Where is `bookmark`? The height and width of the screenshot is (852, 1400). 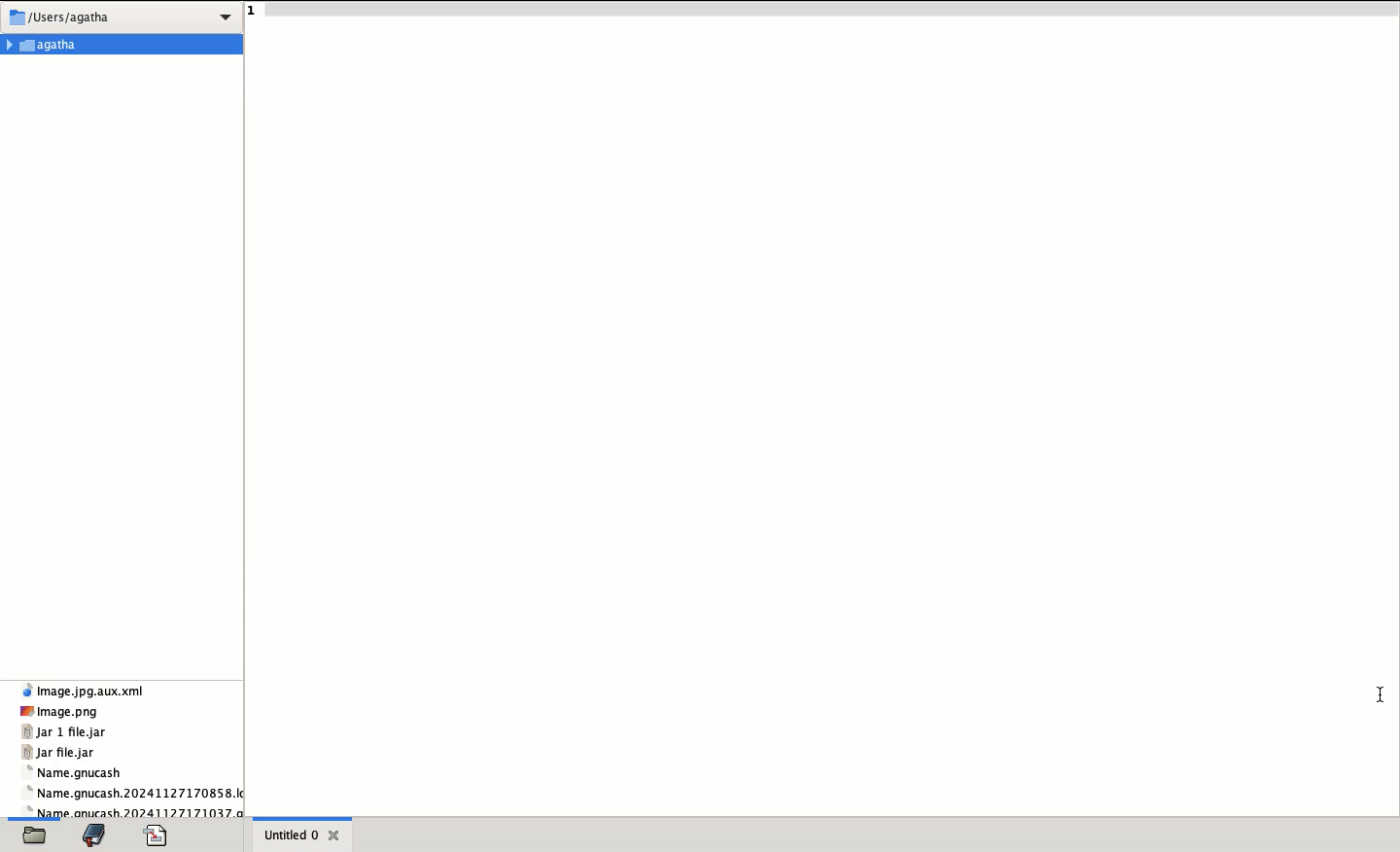 bookmark is located at coordinates (95, 834).